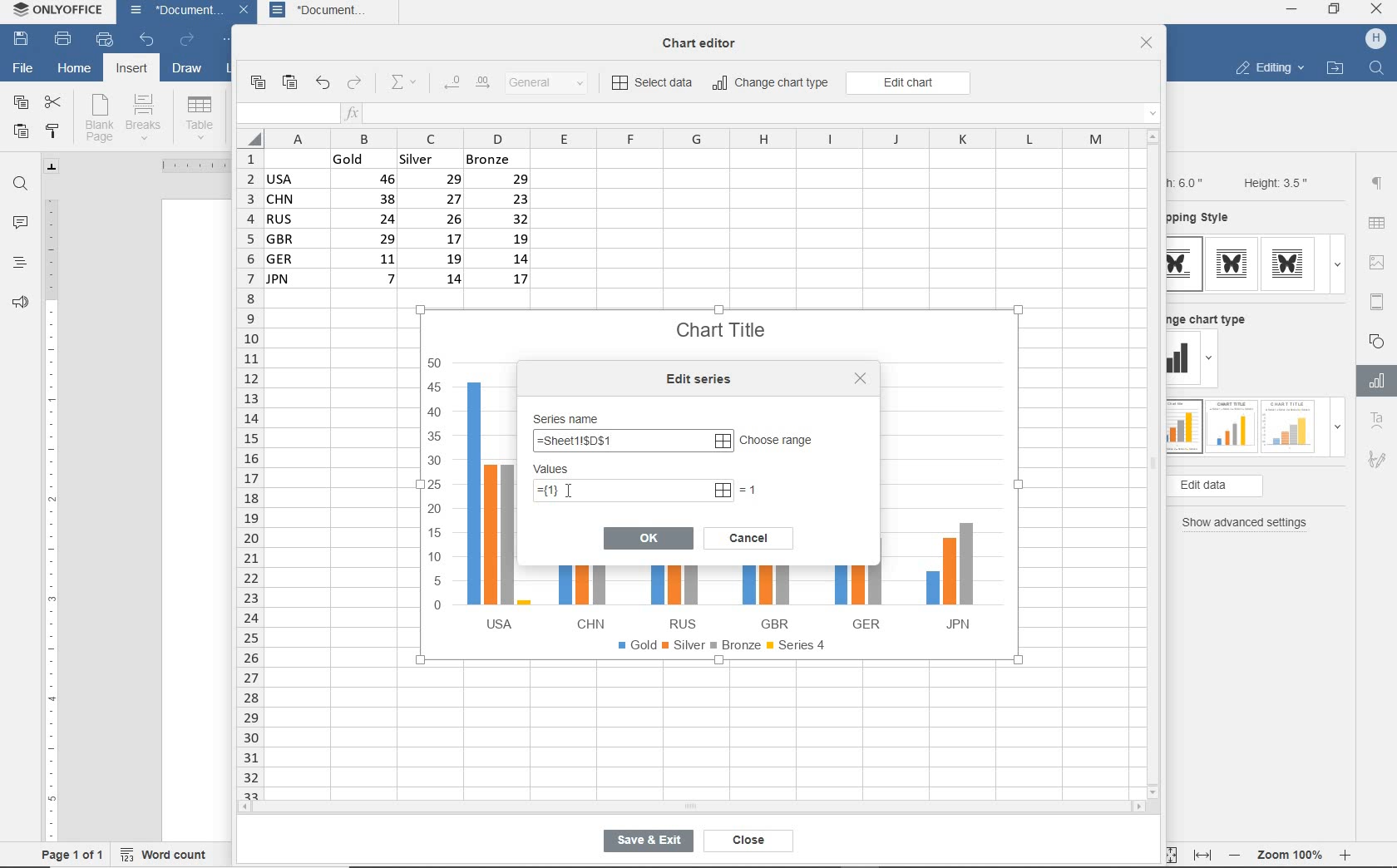 The height and width of the screenshot is (868, 1397). I want to click on image, so click(1380, 262).